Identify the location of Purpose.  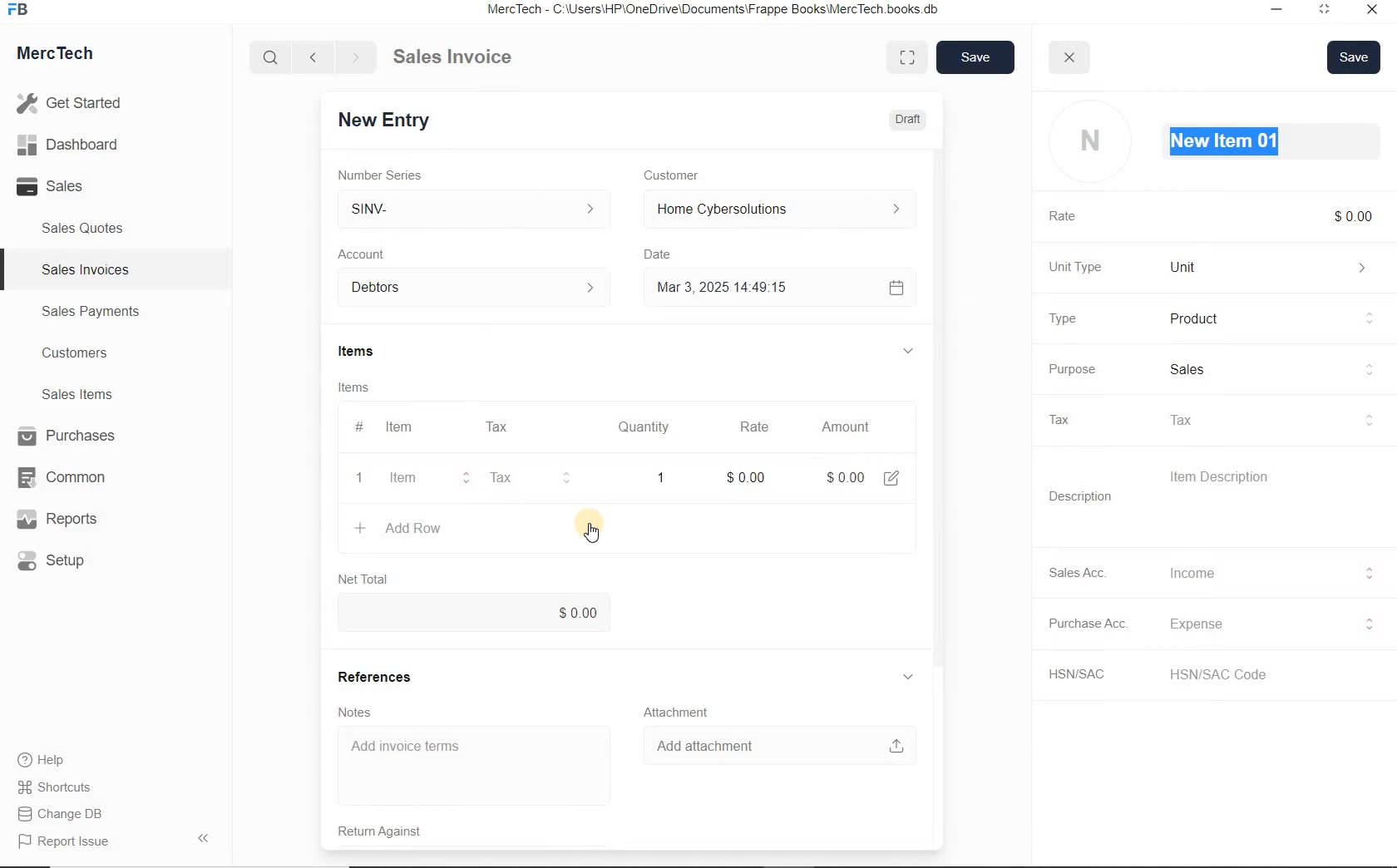
(1070, 369).